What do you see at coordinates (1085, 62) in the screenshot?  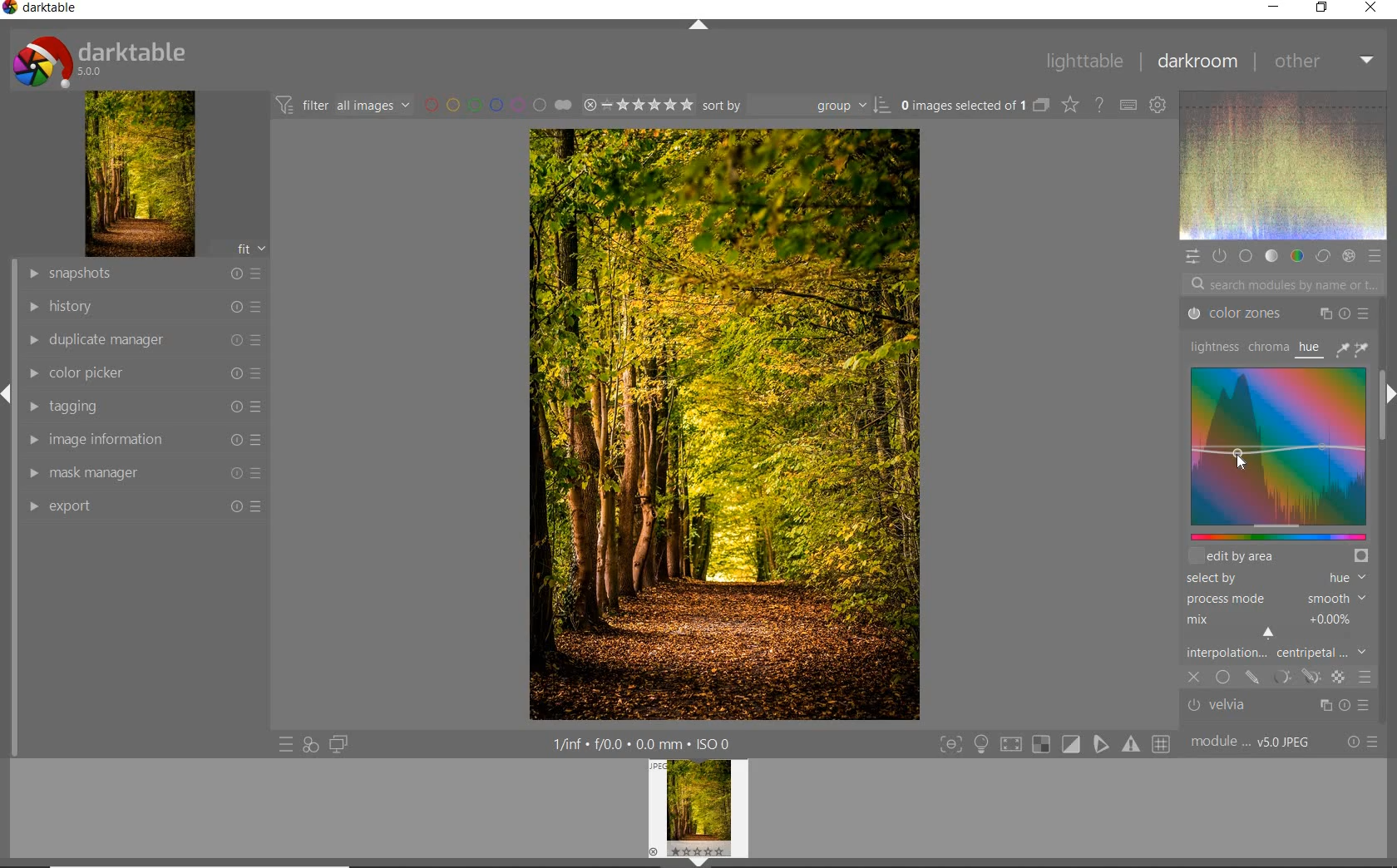 I see `LIGHTTABLE` at bounding box center [1085, 62].